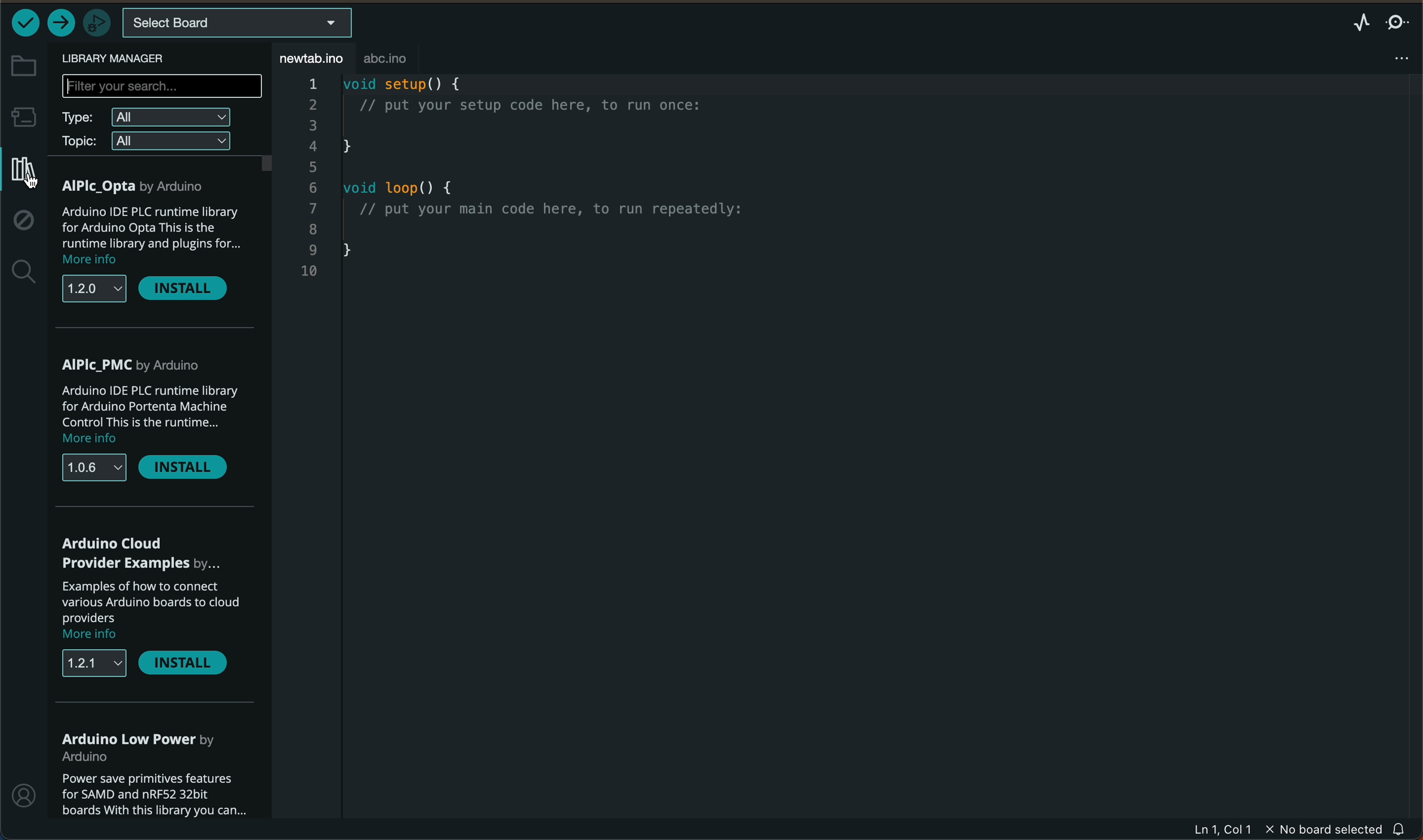  Describe the element at coordinates (147, 237) in the screenshot. I see `description ` at that location.